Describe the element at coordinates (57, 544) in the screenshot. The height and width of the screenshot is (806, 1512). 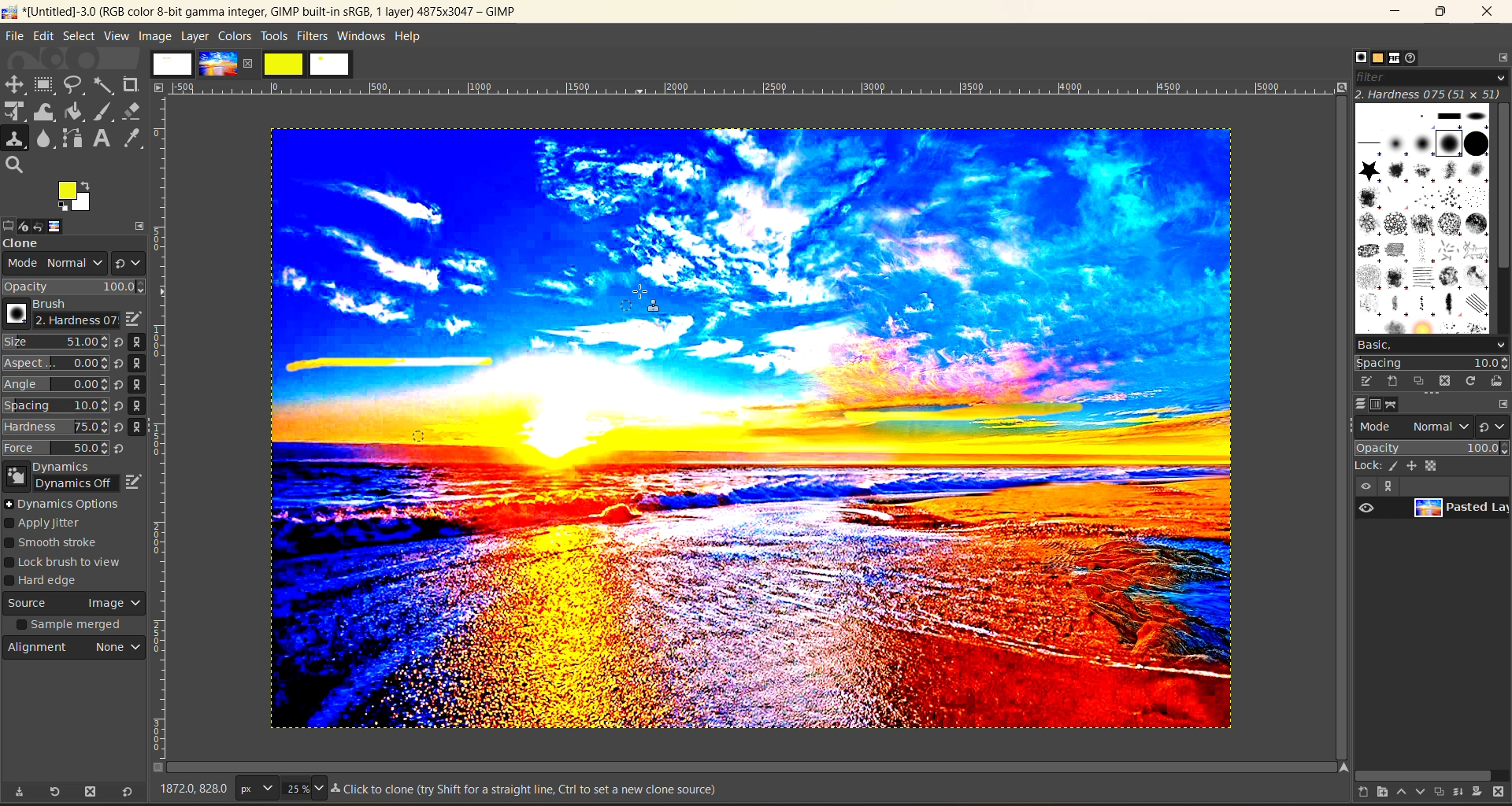
I see `smooth stroke` at that location.